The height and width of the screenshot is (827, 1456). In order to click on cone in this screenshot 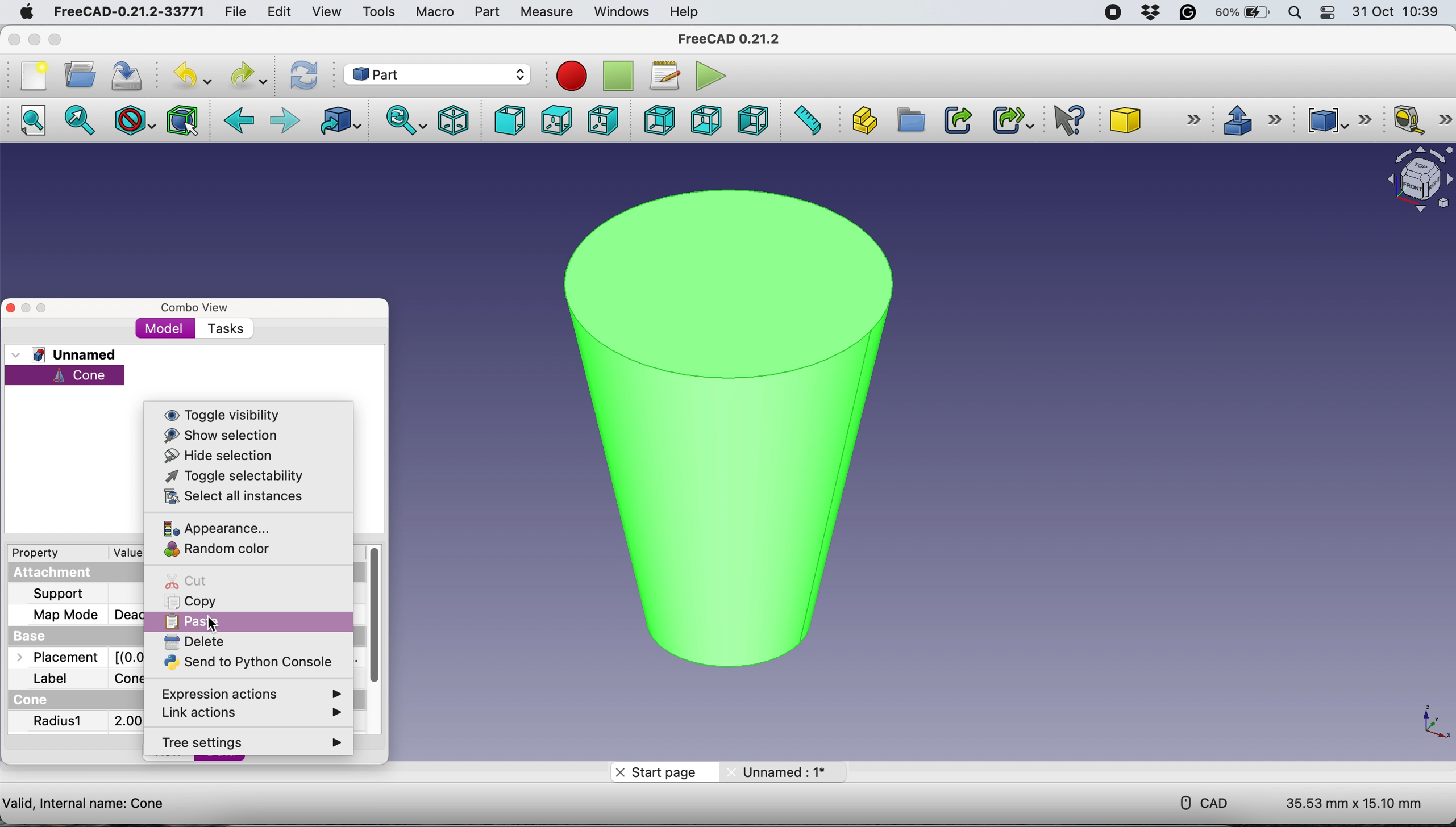, I will do `click(1157, 122)`.